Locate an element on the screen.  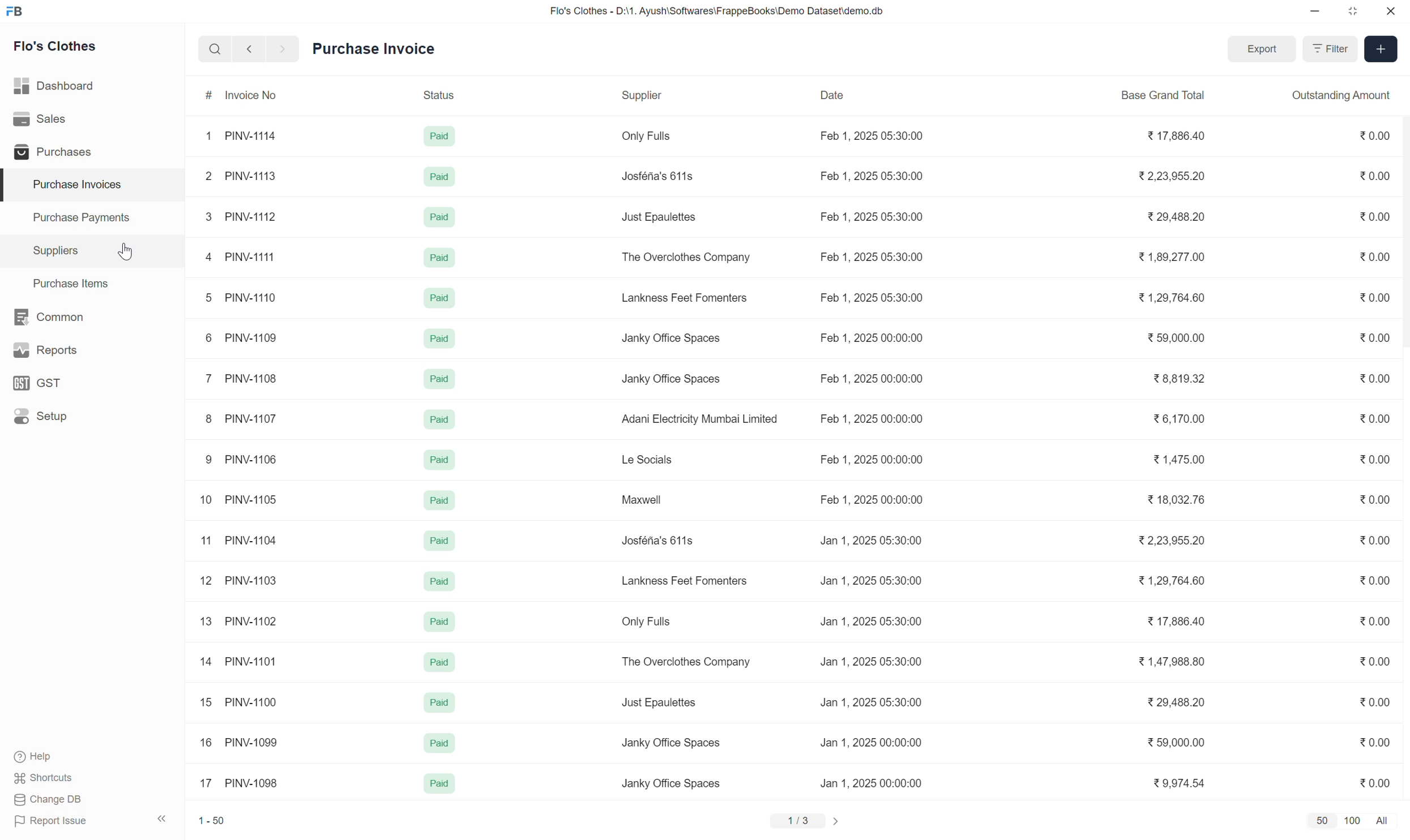
Sales is located at coordinates (92, 119).